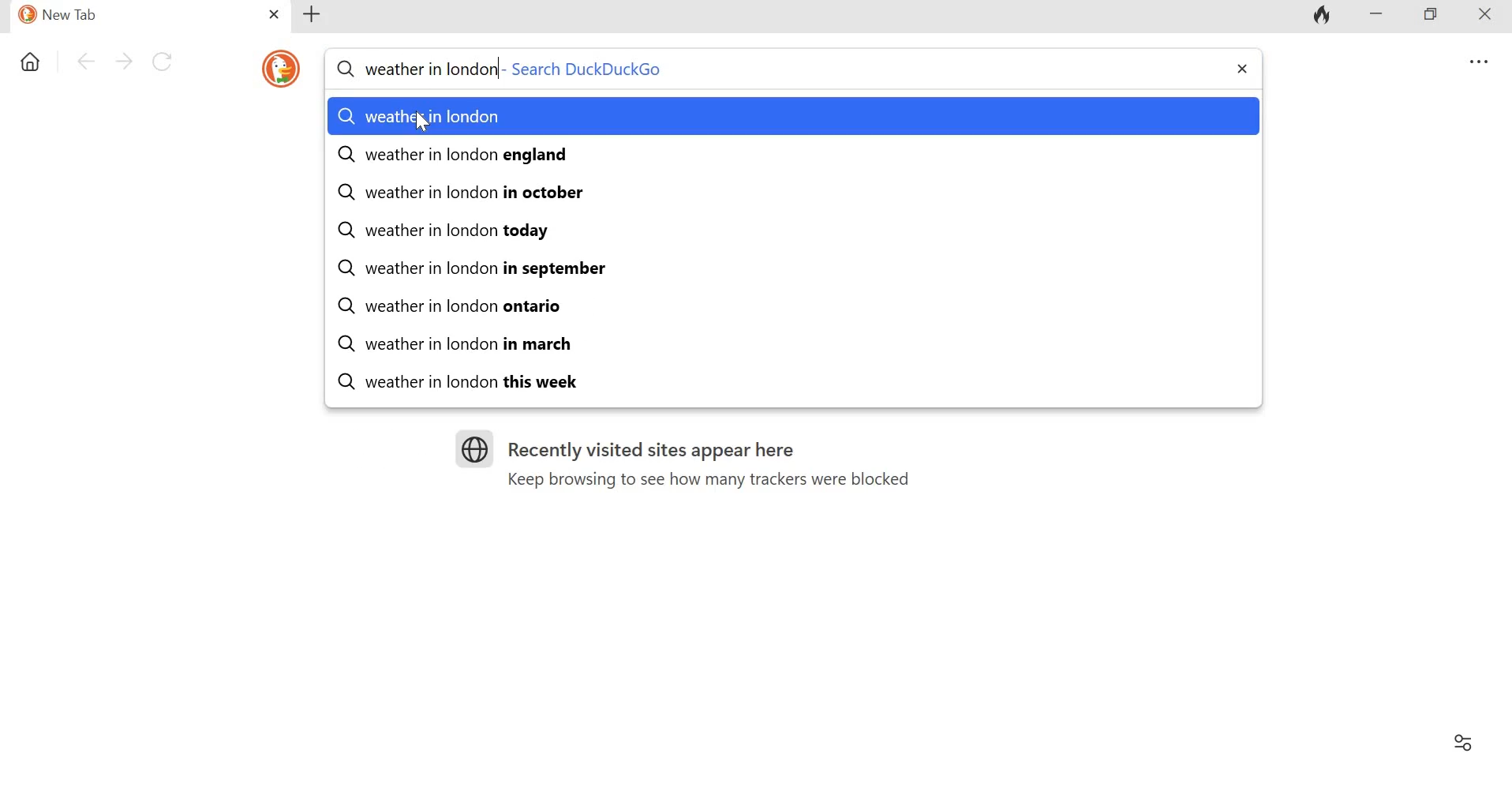 This screenshot has height=791, width=1512. I want to click on weather in london in september, so click(793, 268).